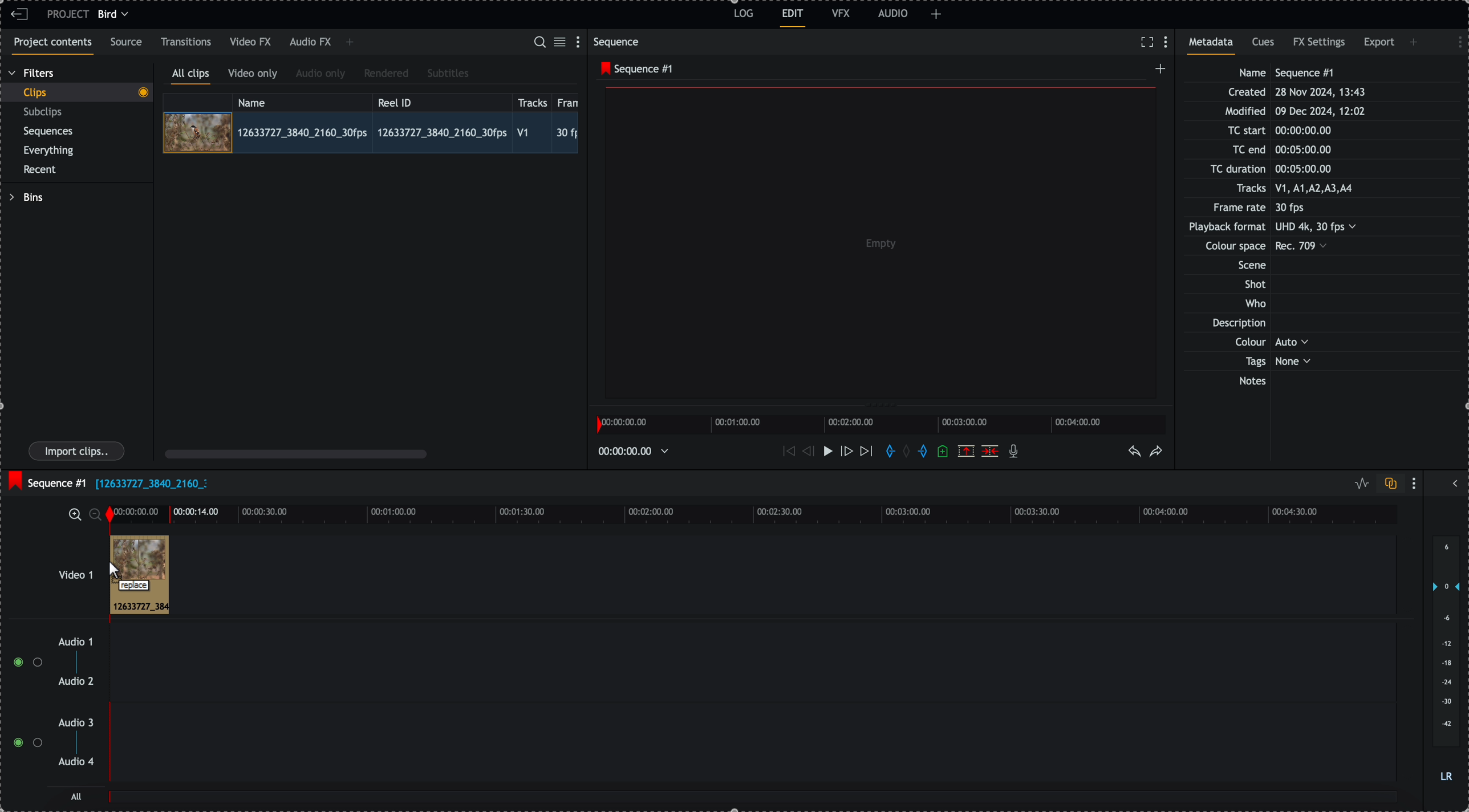 The height and width of the screenshot is (812, 1469). I want to click on play, so click(824, 452).